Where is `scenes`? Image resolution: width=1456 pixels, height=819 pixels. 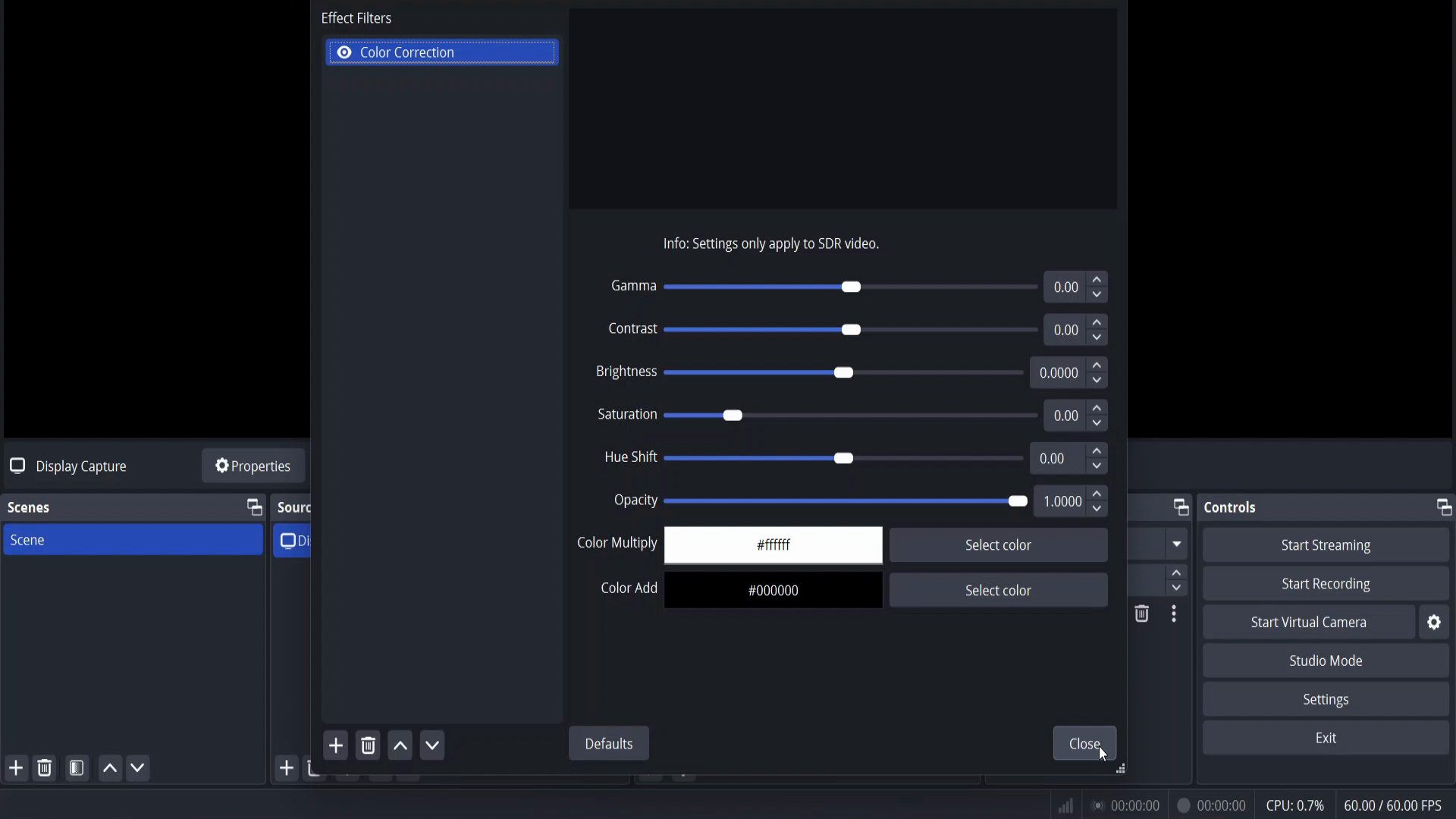 scenes is located at coordinates (30, 508).